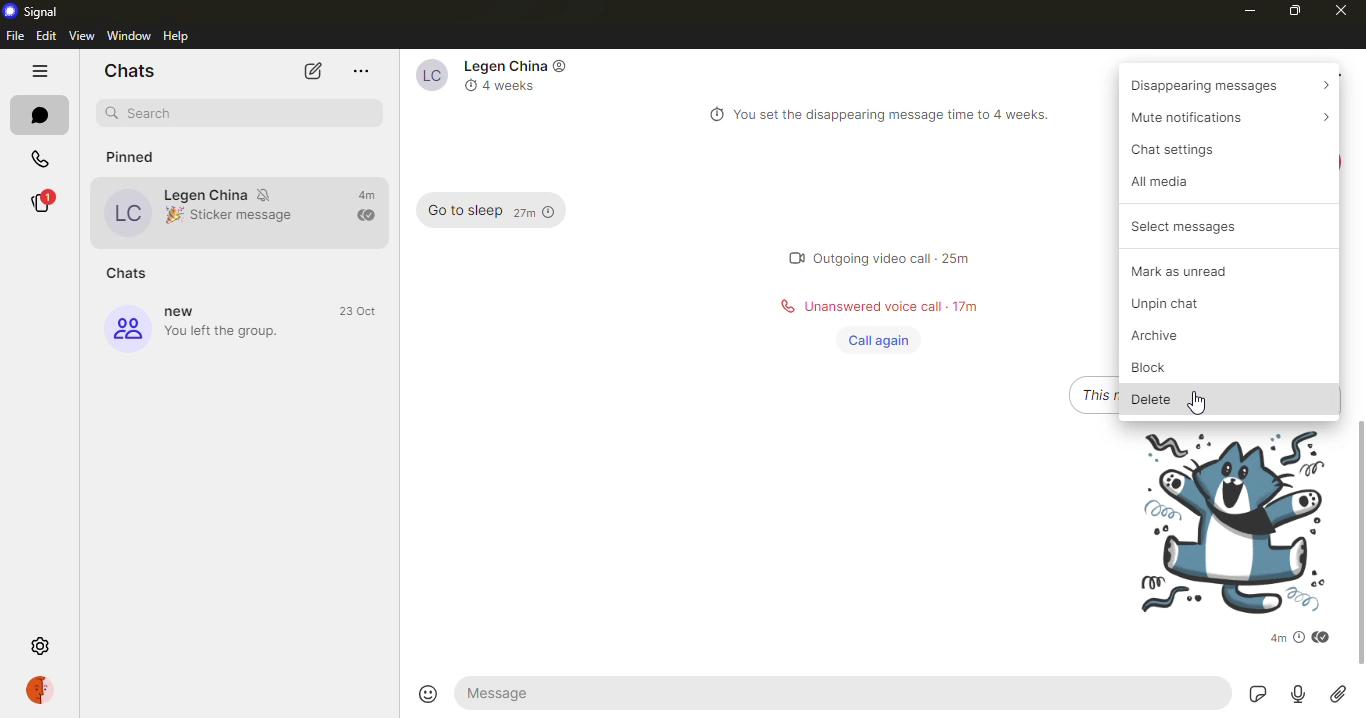 The width and height of the screenshot is (1366, 718). Describe the element at coordinates (1094, 394) in the screenshot. I see `message deleted` at that location.